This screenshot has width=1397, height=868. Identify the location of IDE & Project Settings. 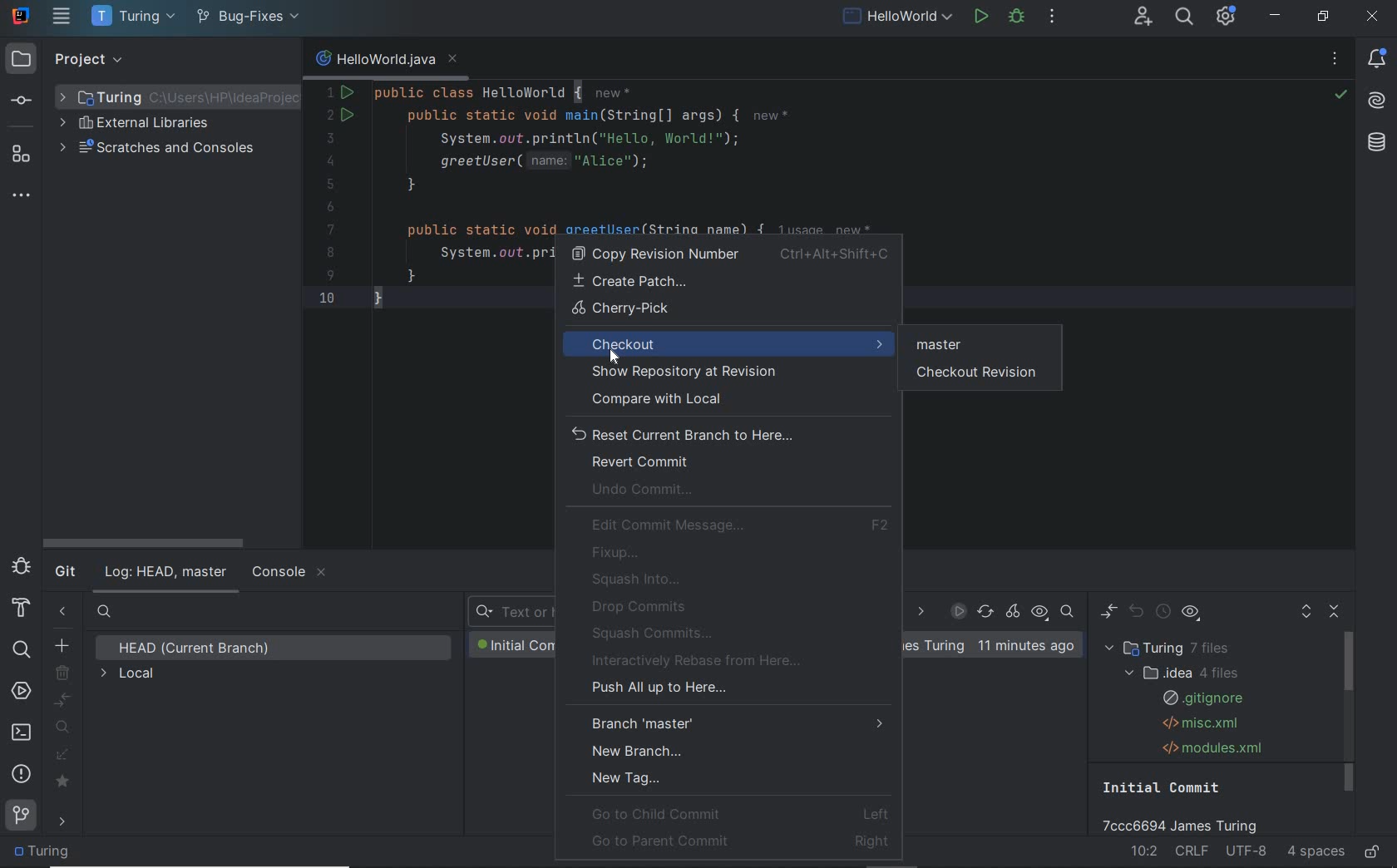
(1227, 17).